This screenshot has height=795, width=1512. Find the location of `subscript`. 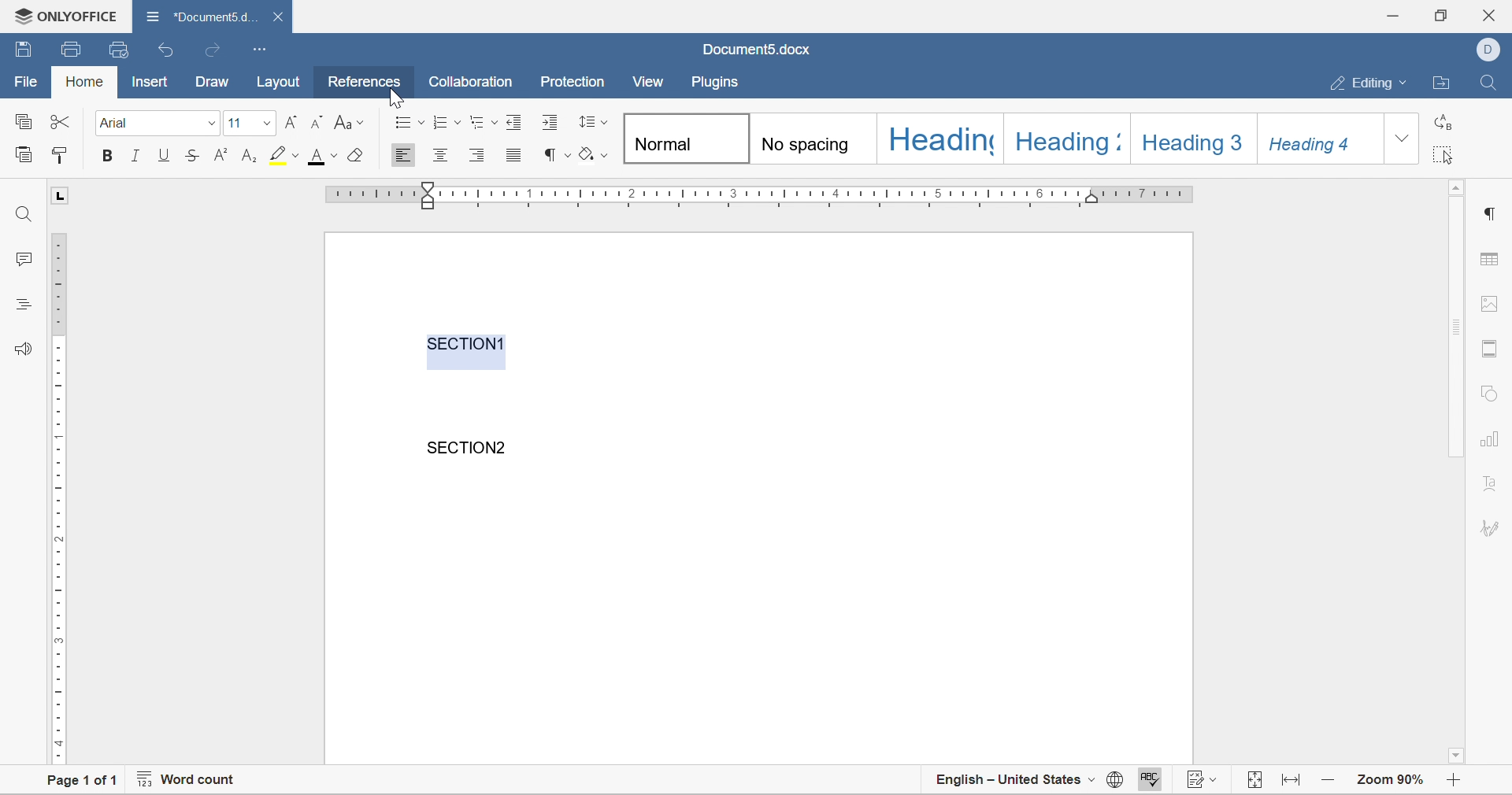

subscript is located at coordinates (250, 154).